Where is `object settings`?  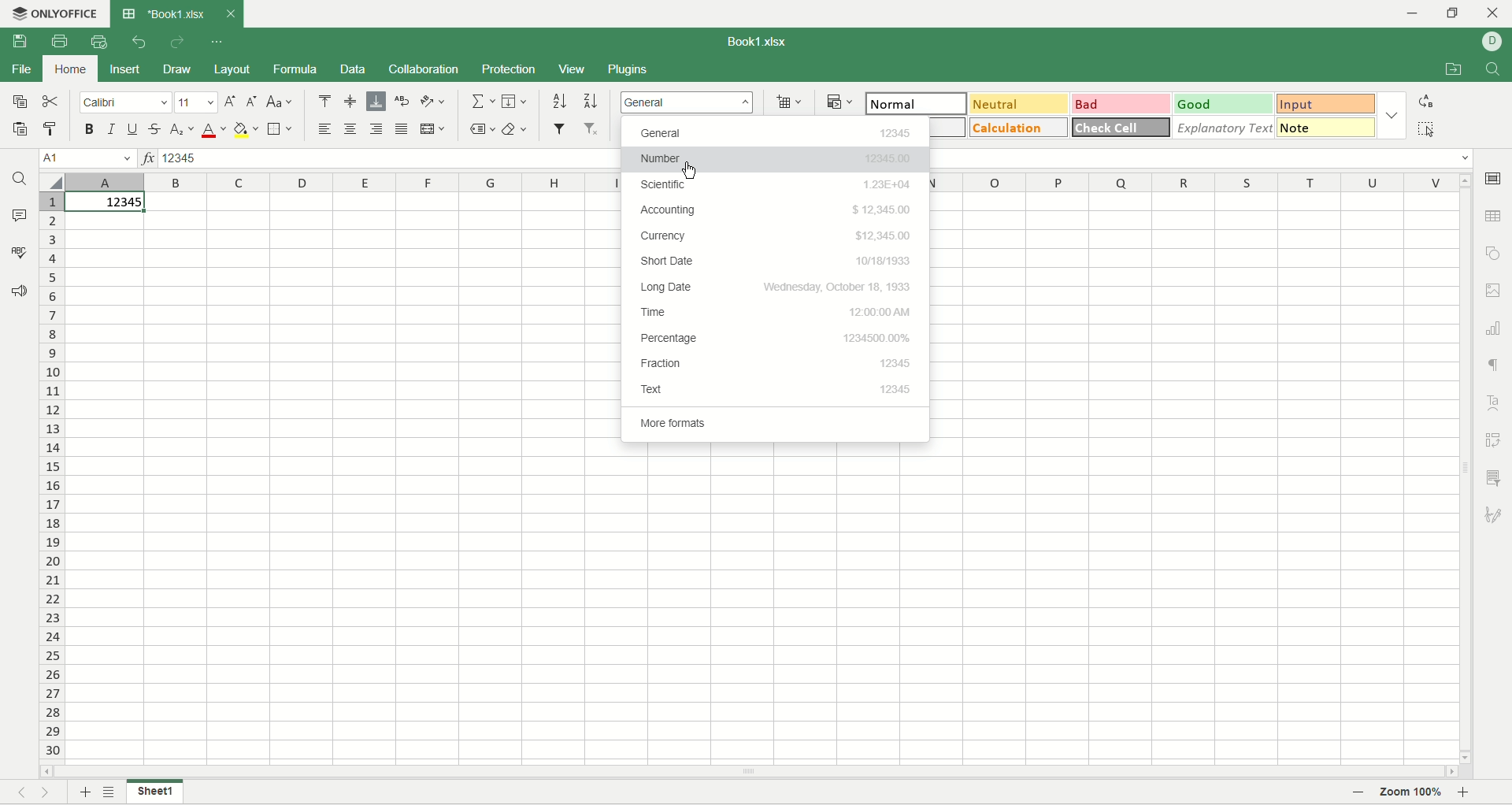
object settings is located at coordinates (1493, 253).